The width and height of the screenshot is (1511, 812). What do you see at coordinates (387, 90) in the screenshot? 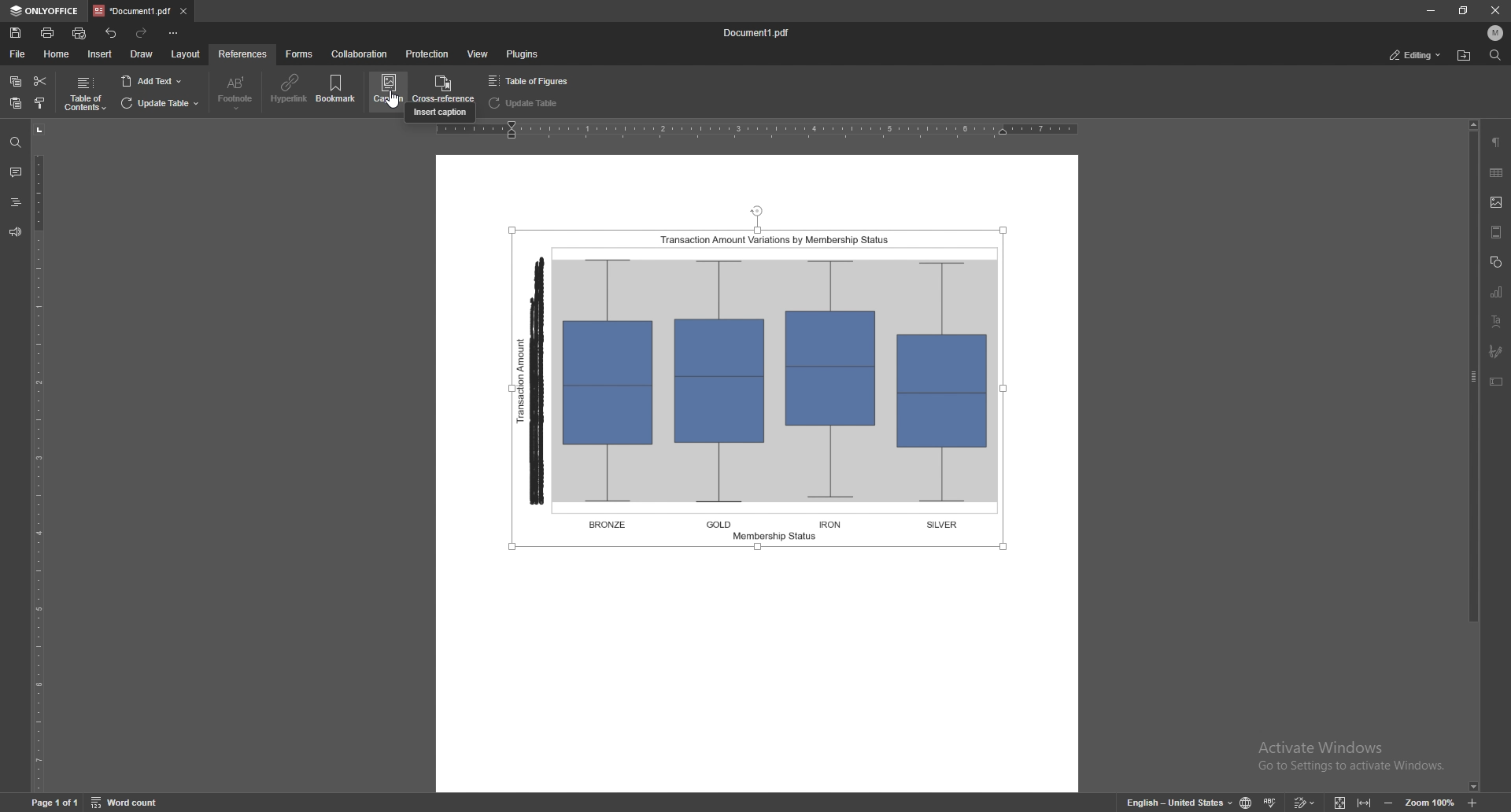
I see `caption` at bounding box center [387, 90].